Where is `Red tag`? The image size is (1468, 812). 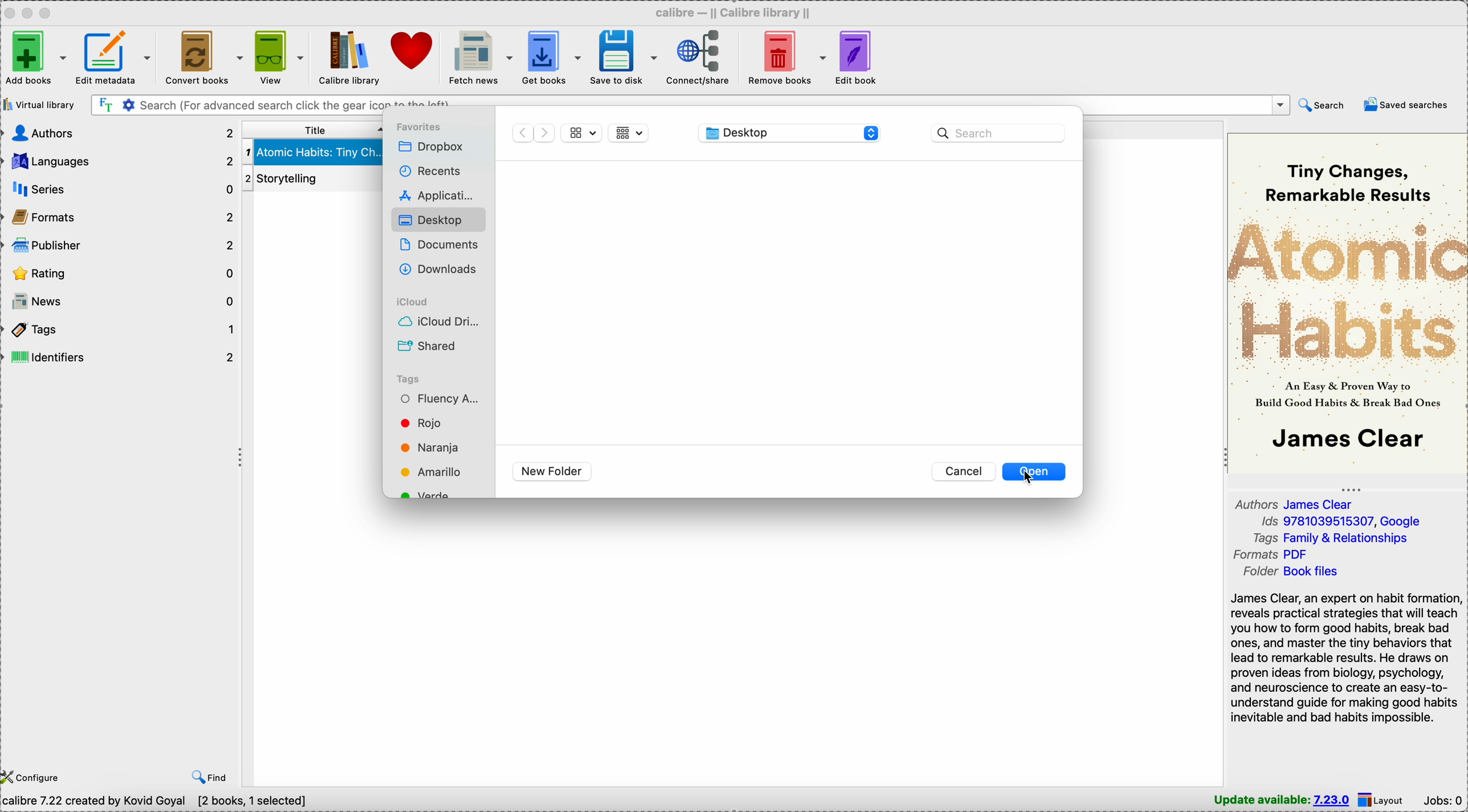
Red tag is located at coordinates (422, 424).